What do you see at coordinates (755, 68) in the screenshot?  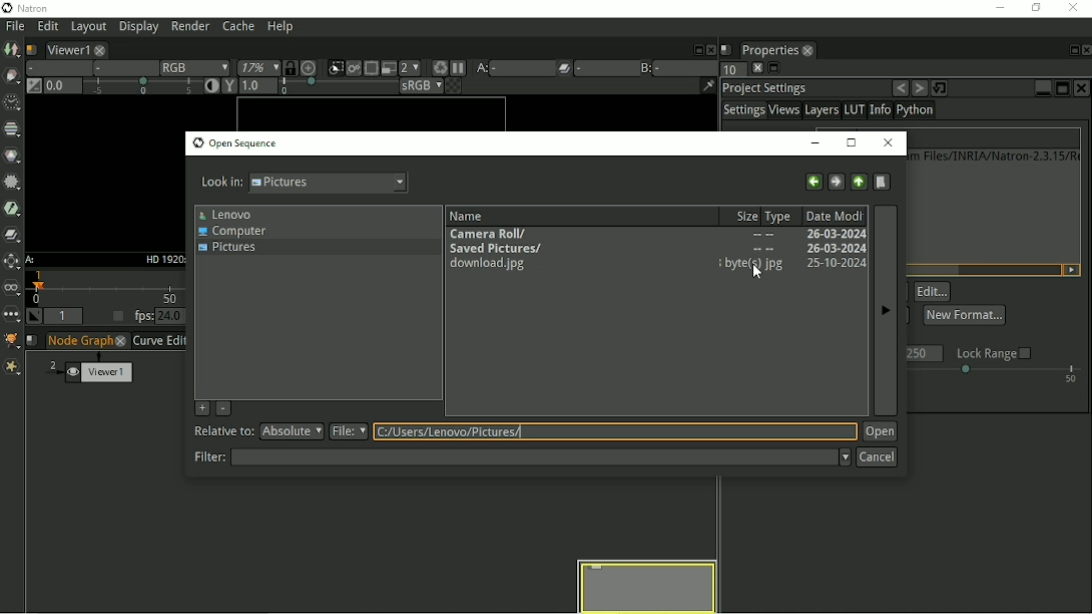 I see `close pane` at bounding box center [755, 68].